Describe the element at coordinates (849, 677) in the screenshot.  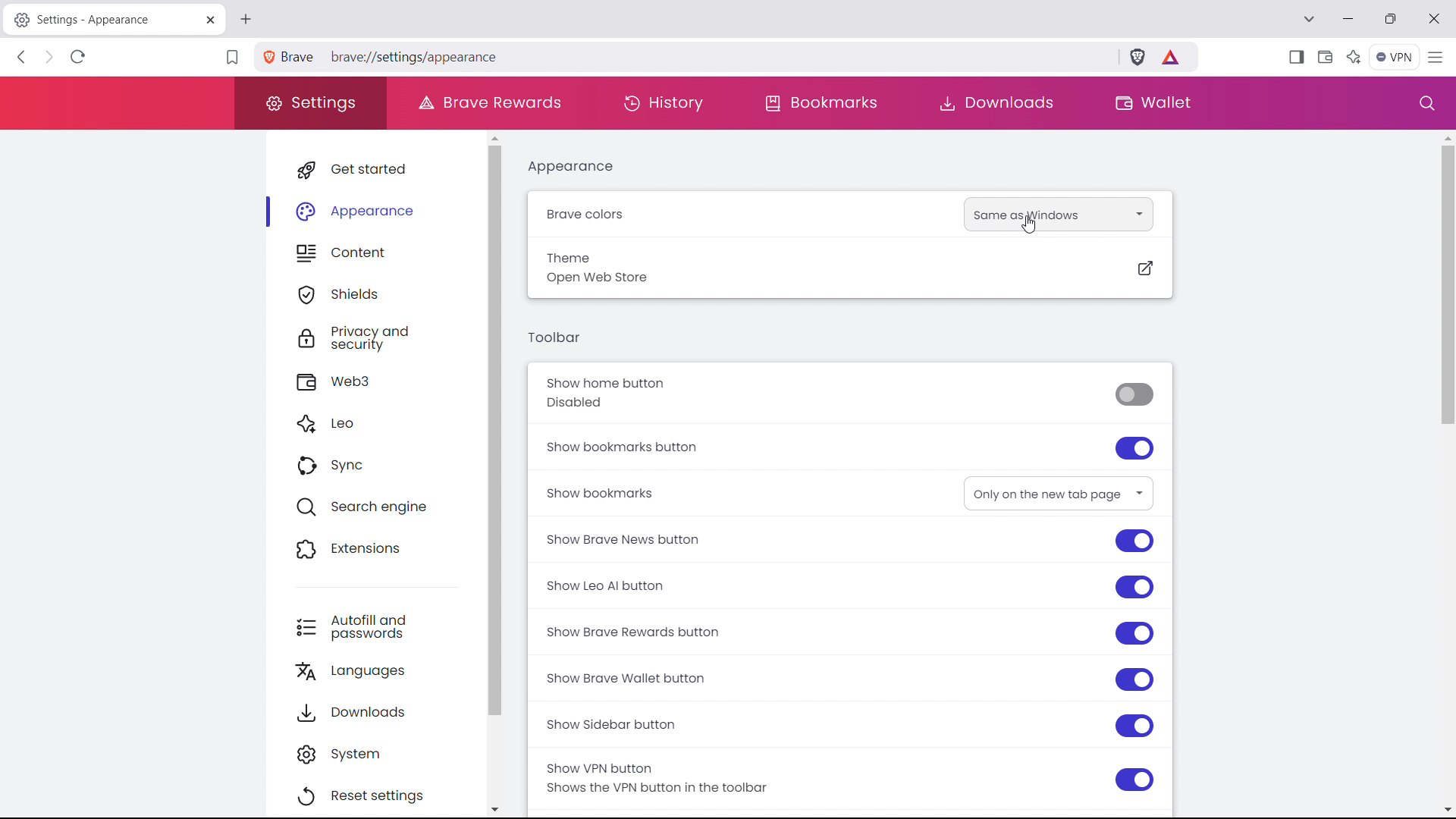
I see `show brave wallet button` at that location.